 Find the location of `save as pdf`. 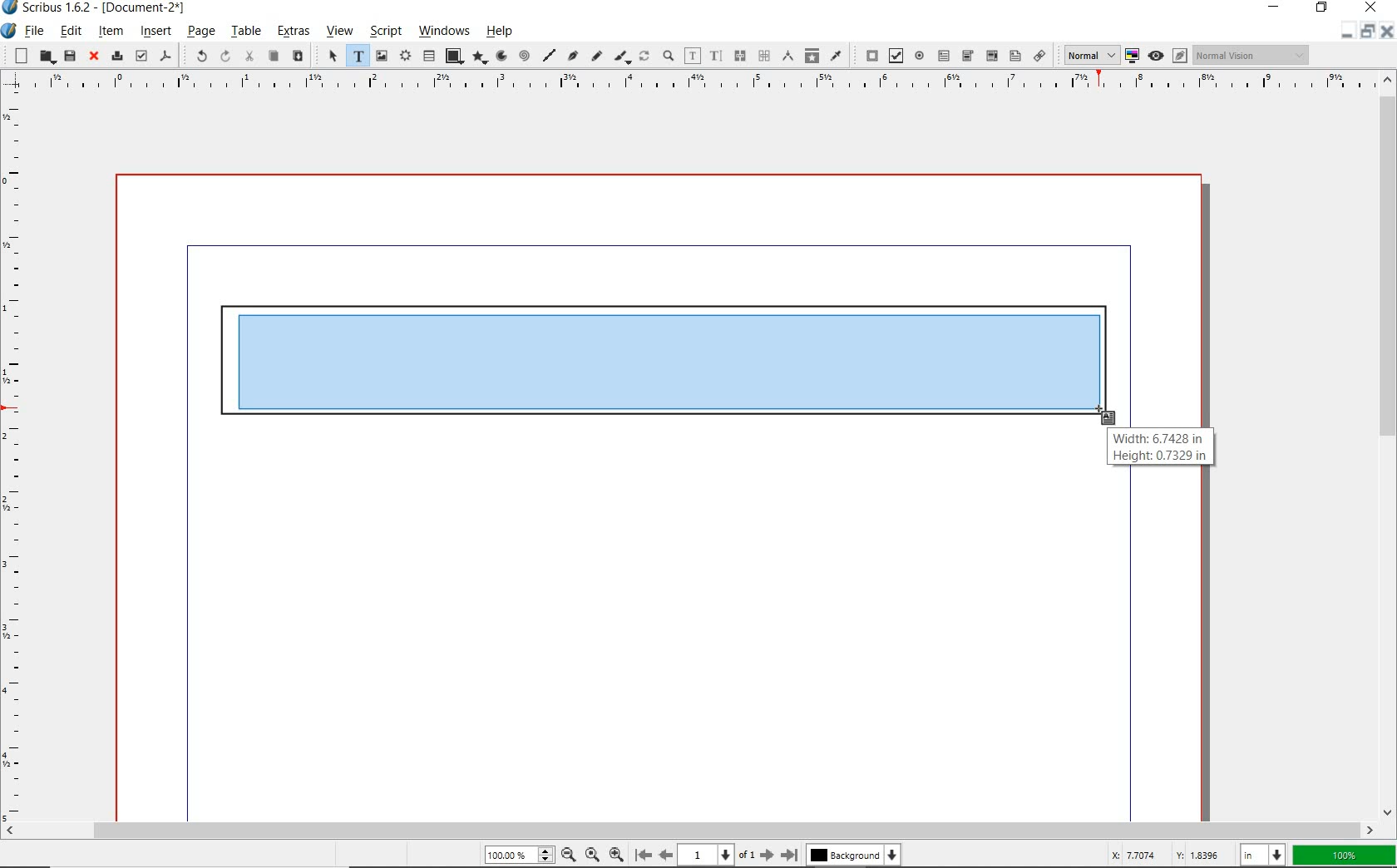

save as pdf is located at coordinates (166, 57).